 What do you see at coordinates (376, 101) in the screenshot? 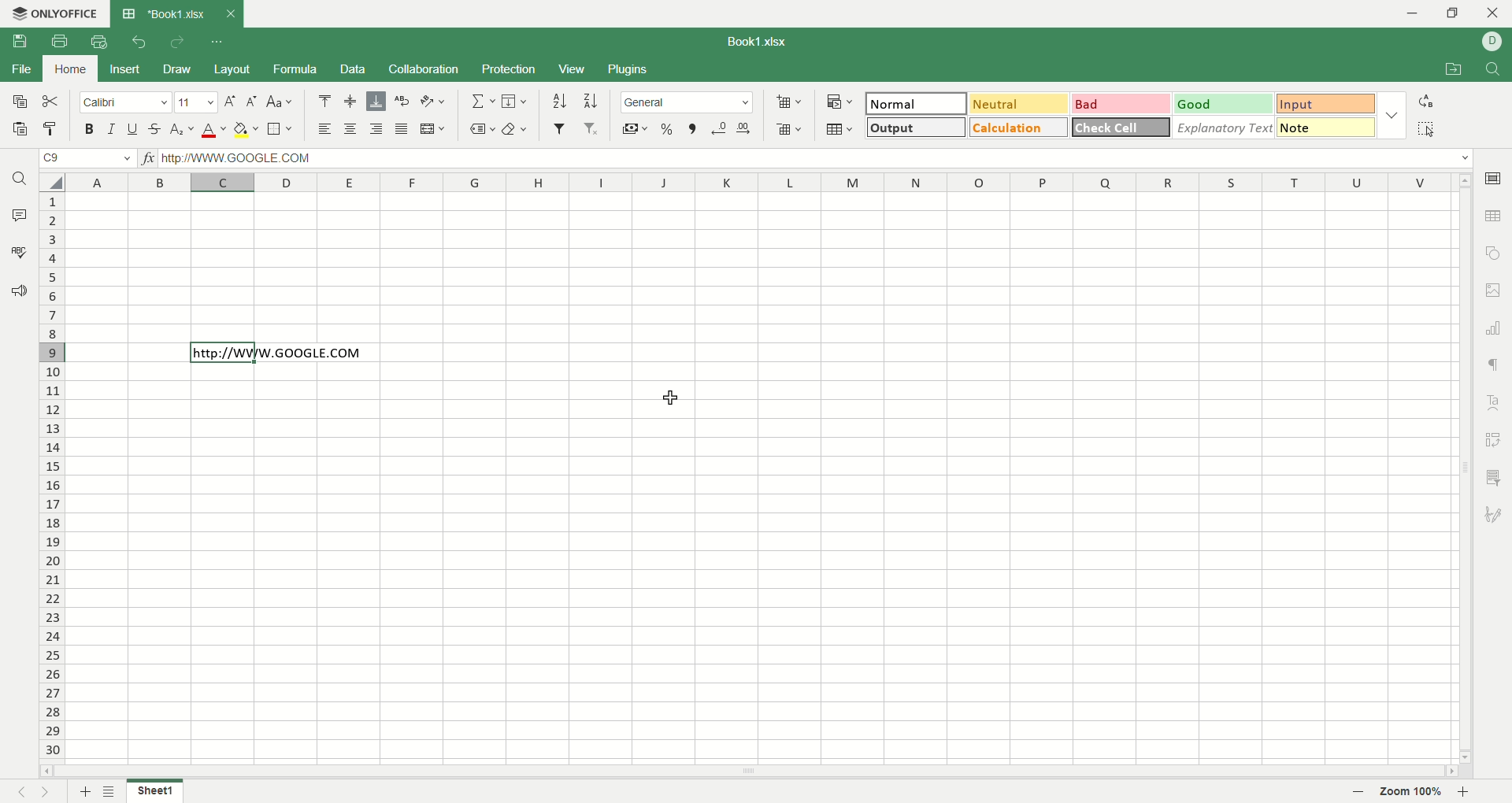
I see `align bottom` at bounding box center [376, 101].